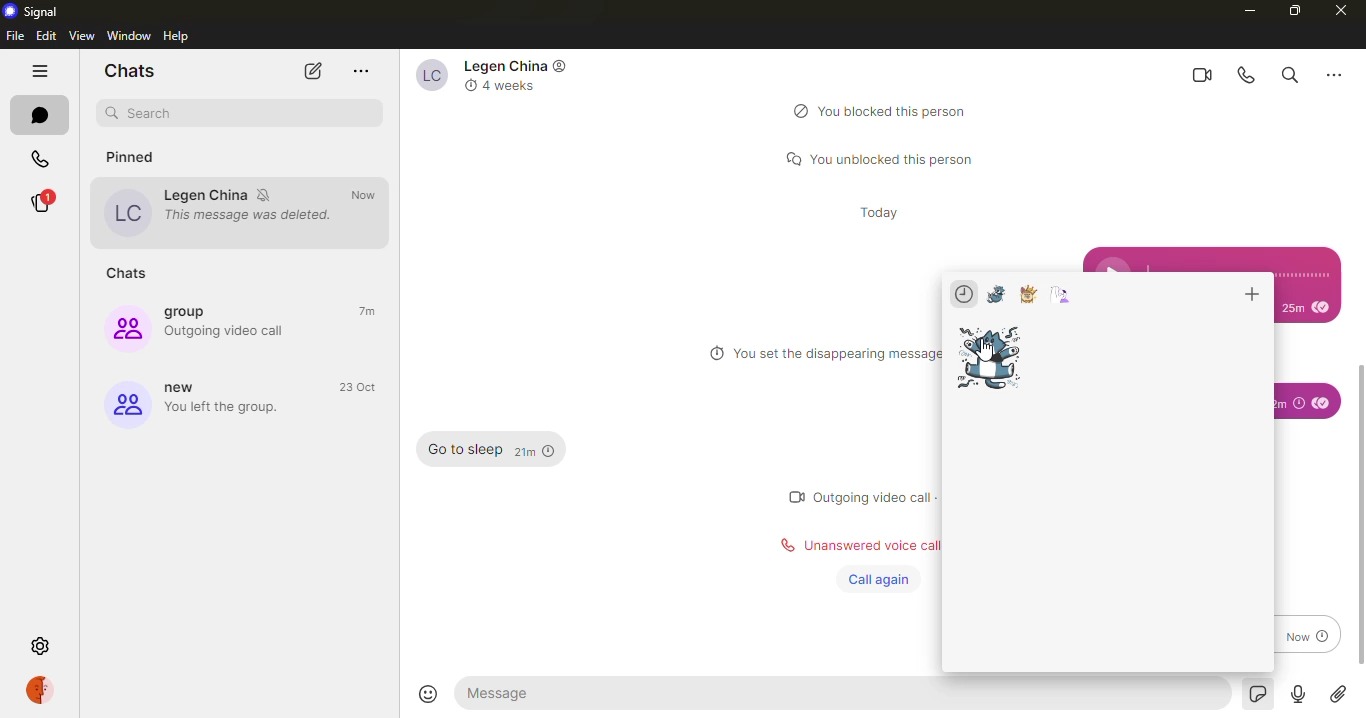 This screenshot has height=718, width=1366. I want to click on pinned, so click(142, 159).